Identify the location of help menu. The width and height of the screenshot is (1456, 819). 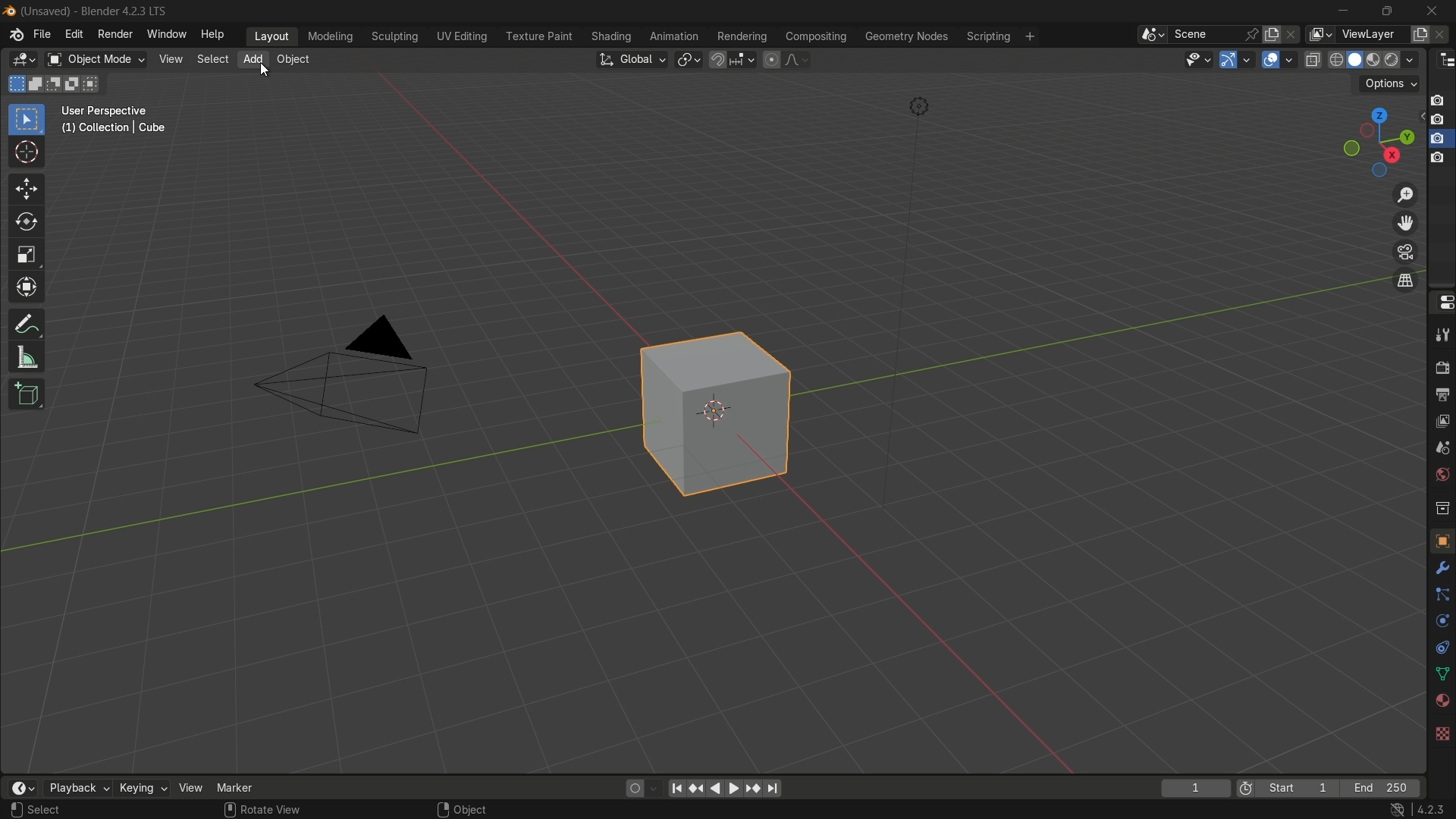
(215, 35).